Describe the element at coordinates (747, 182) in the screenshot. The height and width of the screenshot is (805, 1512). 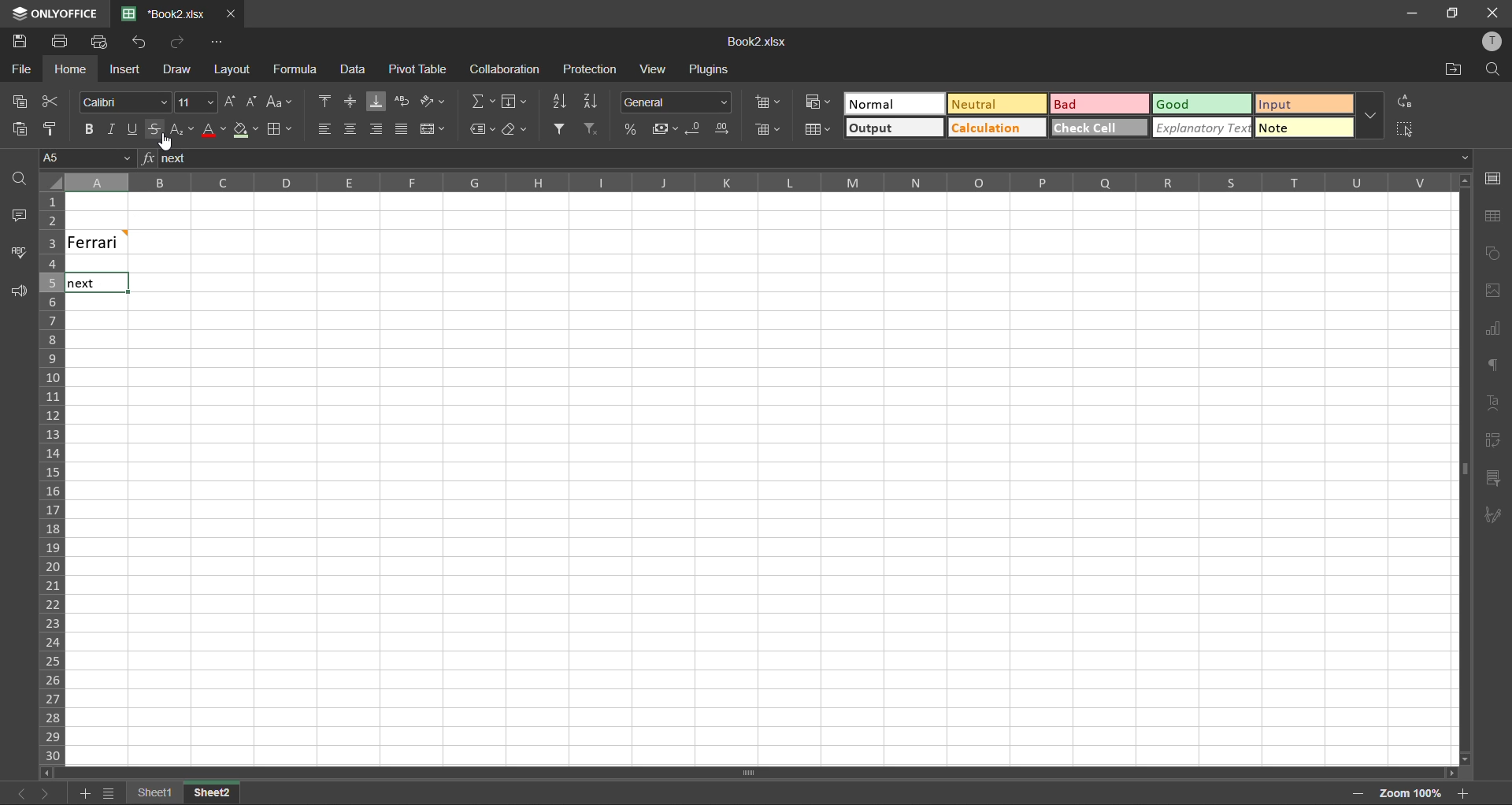
I see `column names` at that location.